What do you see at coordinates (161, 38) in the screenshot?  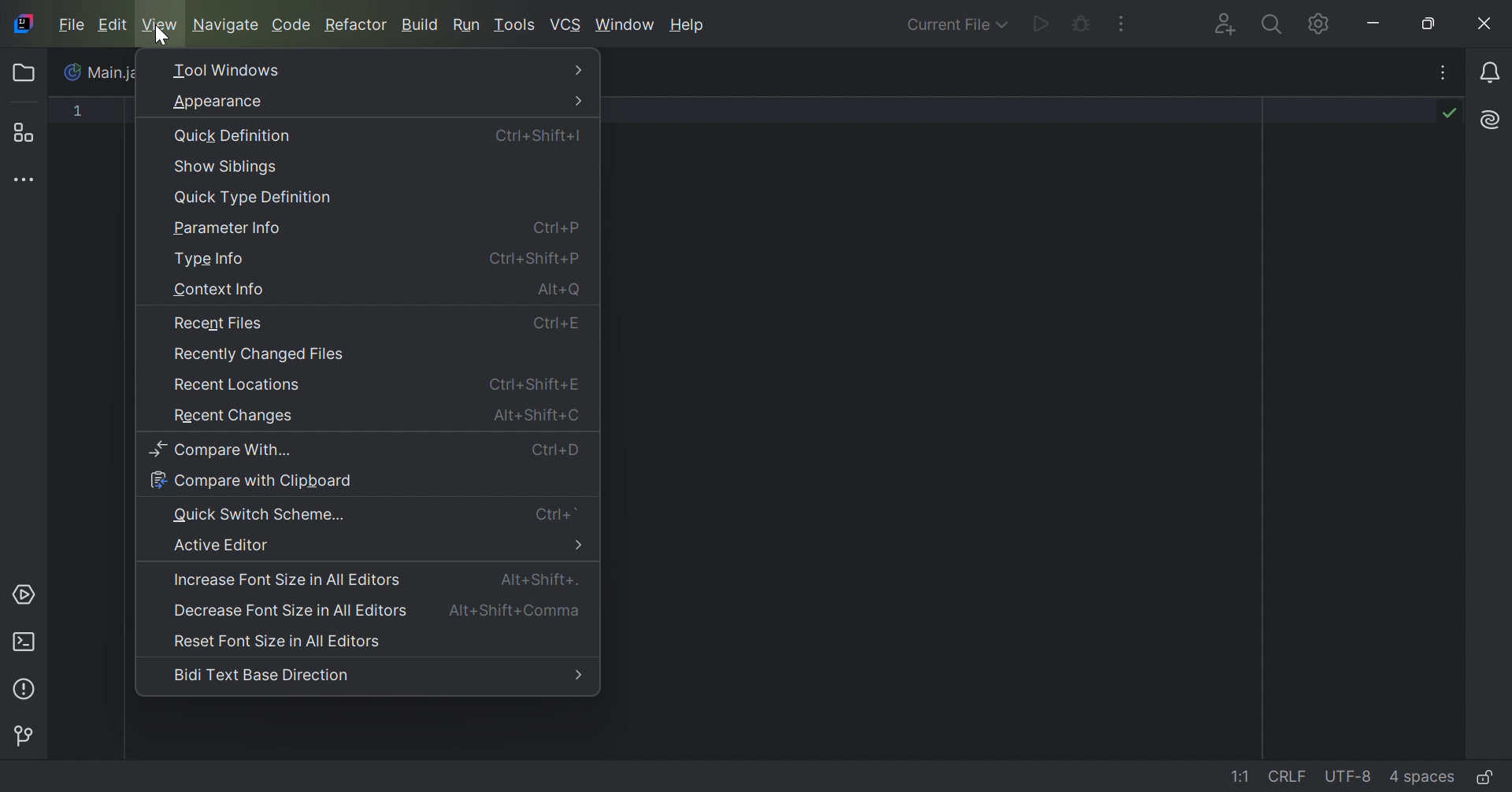 I see `Cursor` at bounding box center [161, 38].